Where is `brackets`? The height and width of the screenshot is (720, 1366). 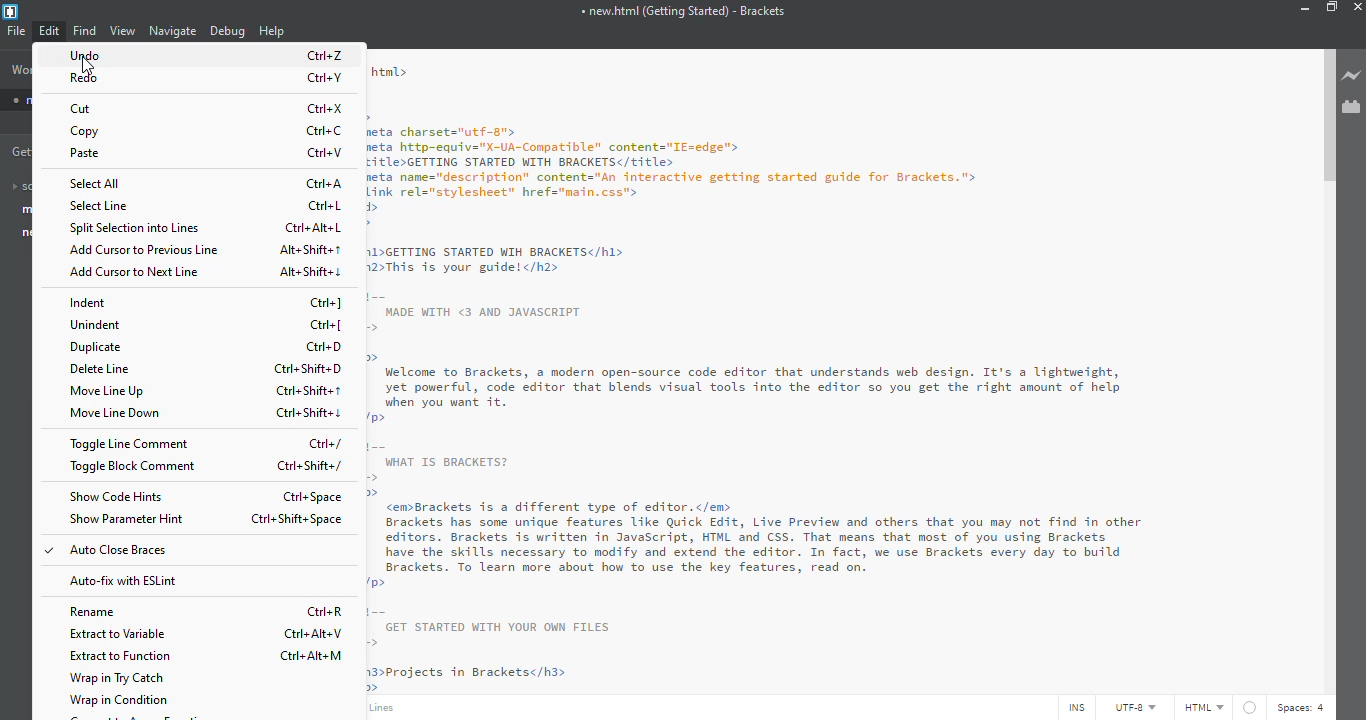
brackets is located at coordinates (11, 12).